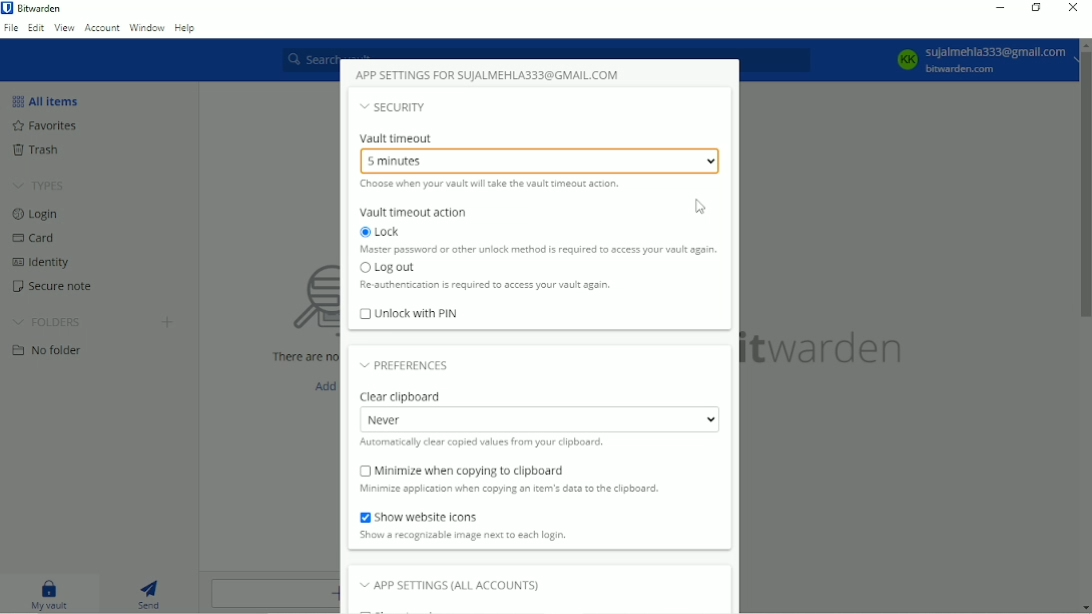  I want to click on Types, so click(39, 186).